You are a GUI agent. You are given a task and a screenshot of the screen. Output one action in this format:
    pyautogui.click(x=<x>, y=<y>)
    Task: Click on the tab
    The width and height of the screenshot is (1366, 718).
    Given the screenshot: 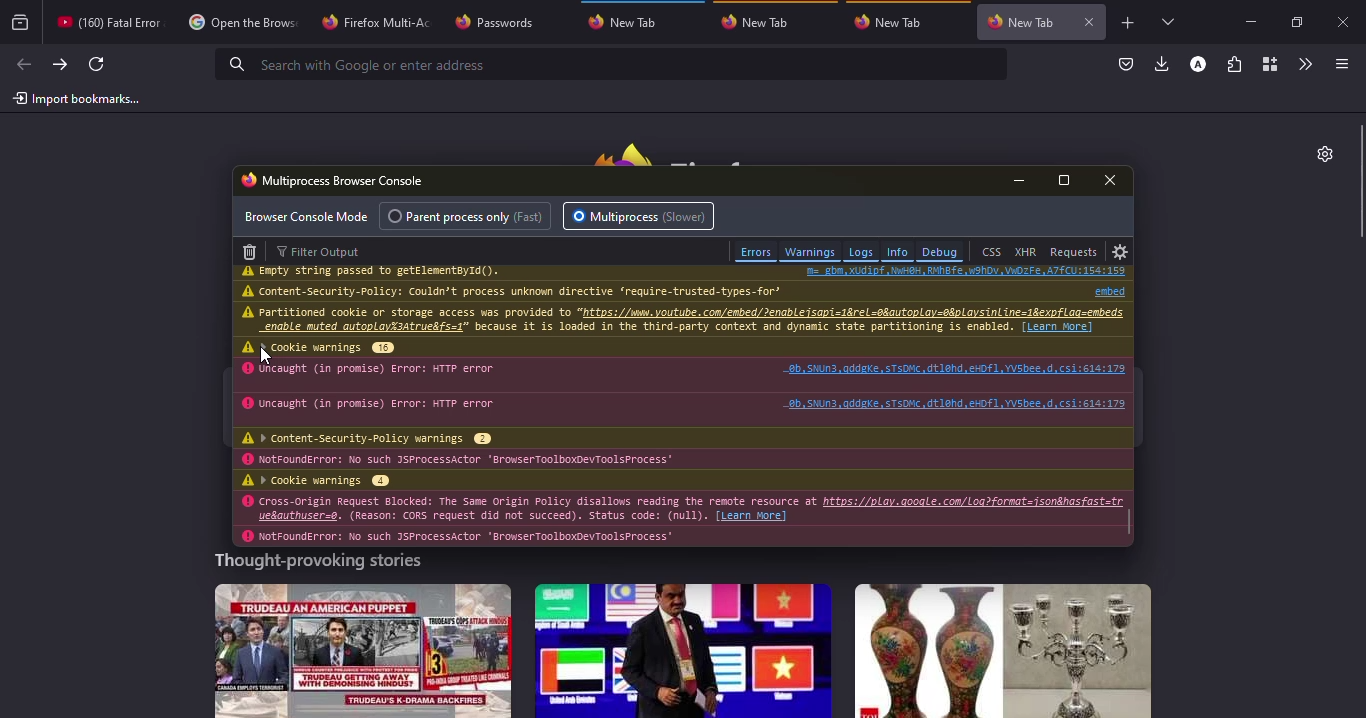 What is the action you would take?
    pyautogui.click(x=891, y=21)
    